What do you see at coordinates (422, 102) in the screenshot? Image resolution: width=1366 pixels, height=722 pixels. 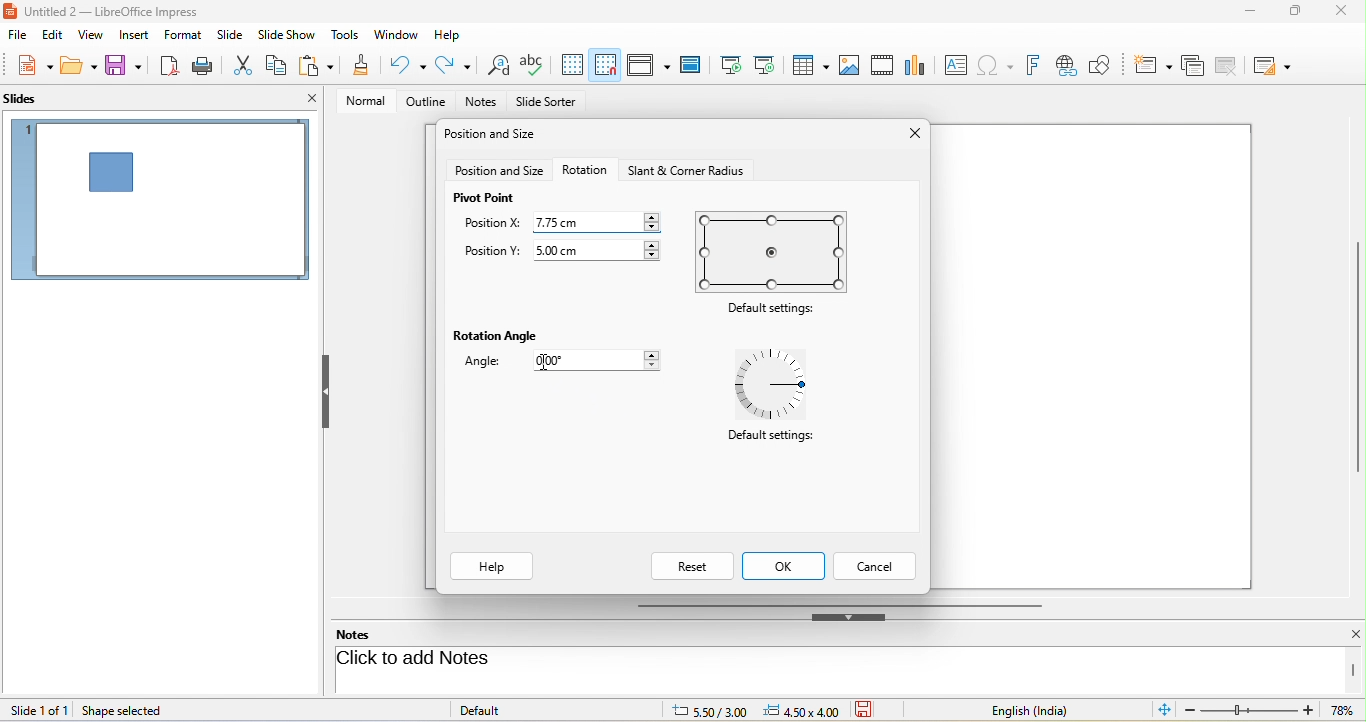 I see `outline` at bounding box center [422, 102].